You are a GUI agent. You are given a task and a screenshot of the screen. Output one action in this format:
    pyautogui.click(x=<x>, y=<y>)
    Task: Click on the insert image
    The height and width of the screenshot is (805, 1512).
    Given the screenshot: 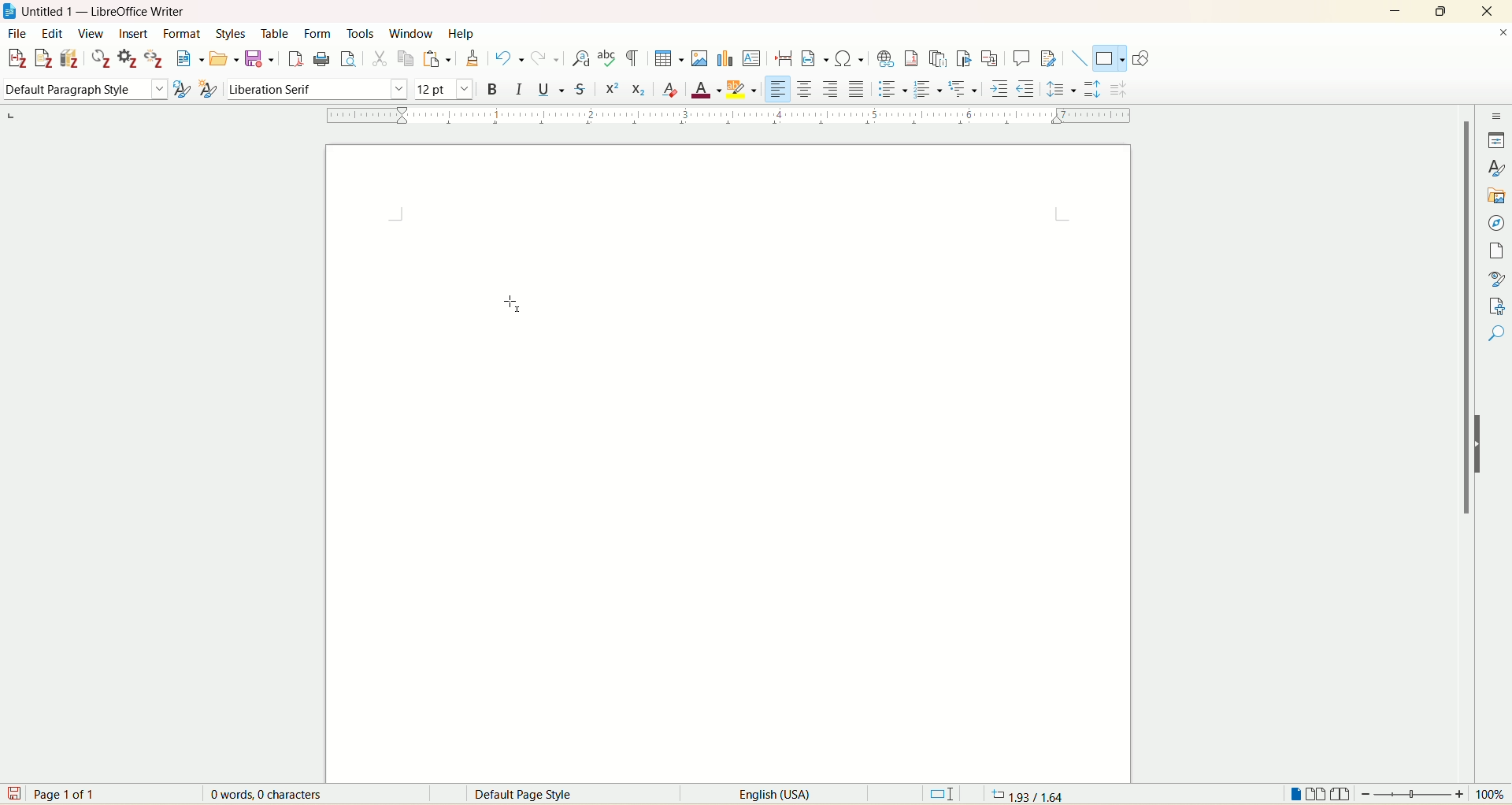 What is the action you would take?
    pyautogui.click(x=702, y=57)
    